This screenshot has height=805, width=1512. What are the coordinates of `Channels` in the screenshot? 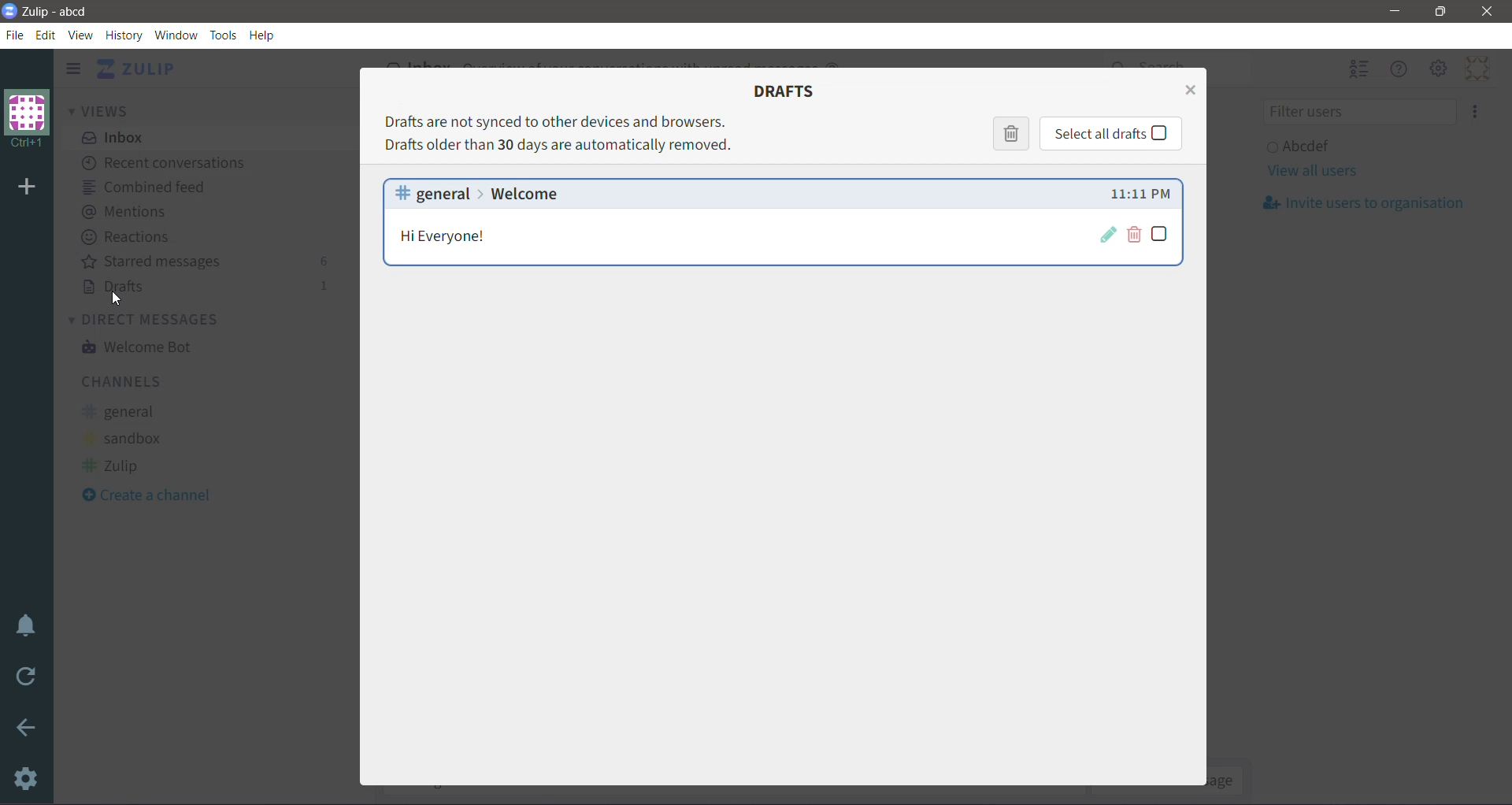 It's located at (125, 380).